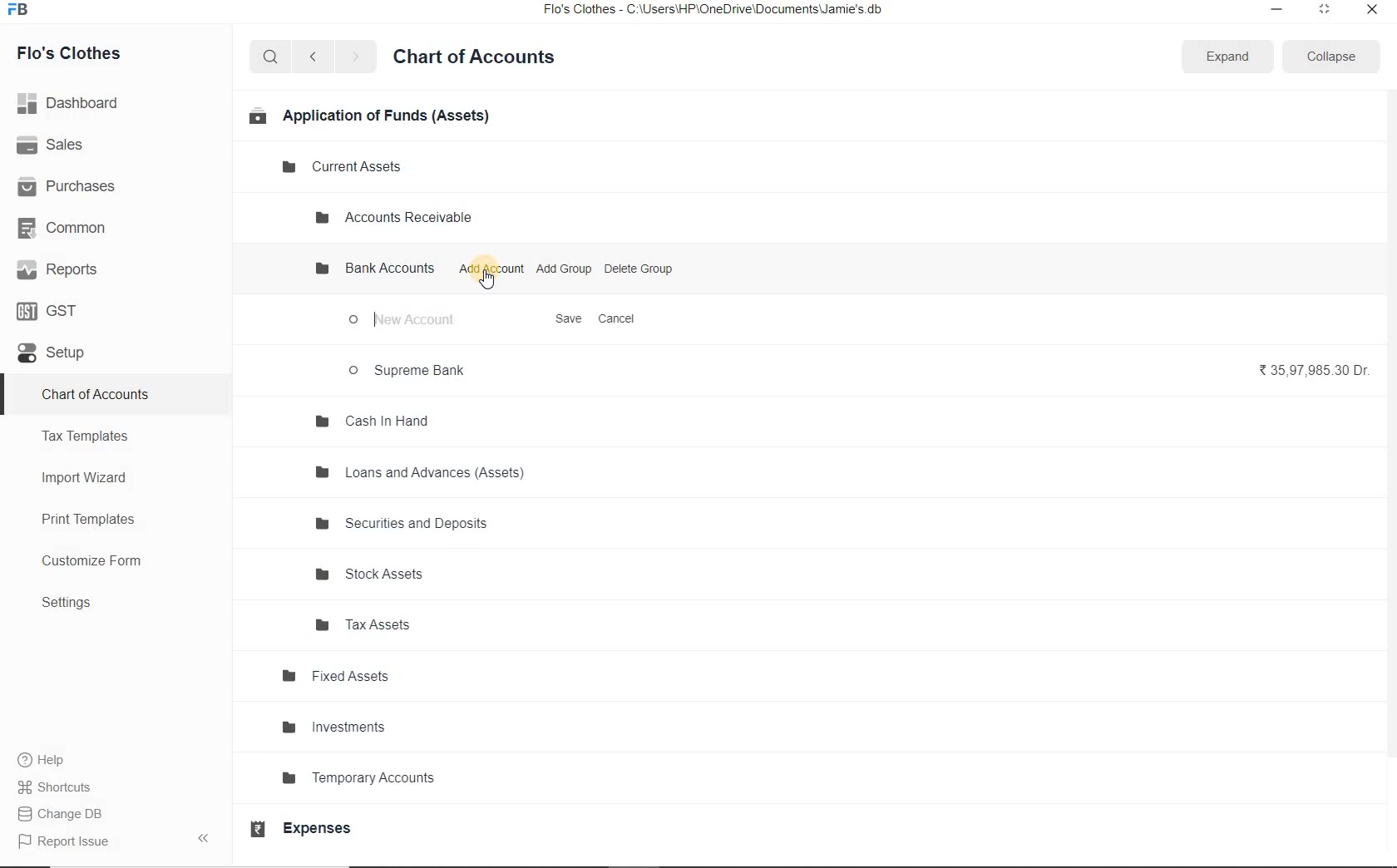 The image size is (1397, 868). Describe the element at coordinates (639, 269) in the screenshot. I see `Delete Group` at that location.